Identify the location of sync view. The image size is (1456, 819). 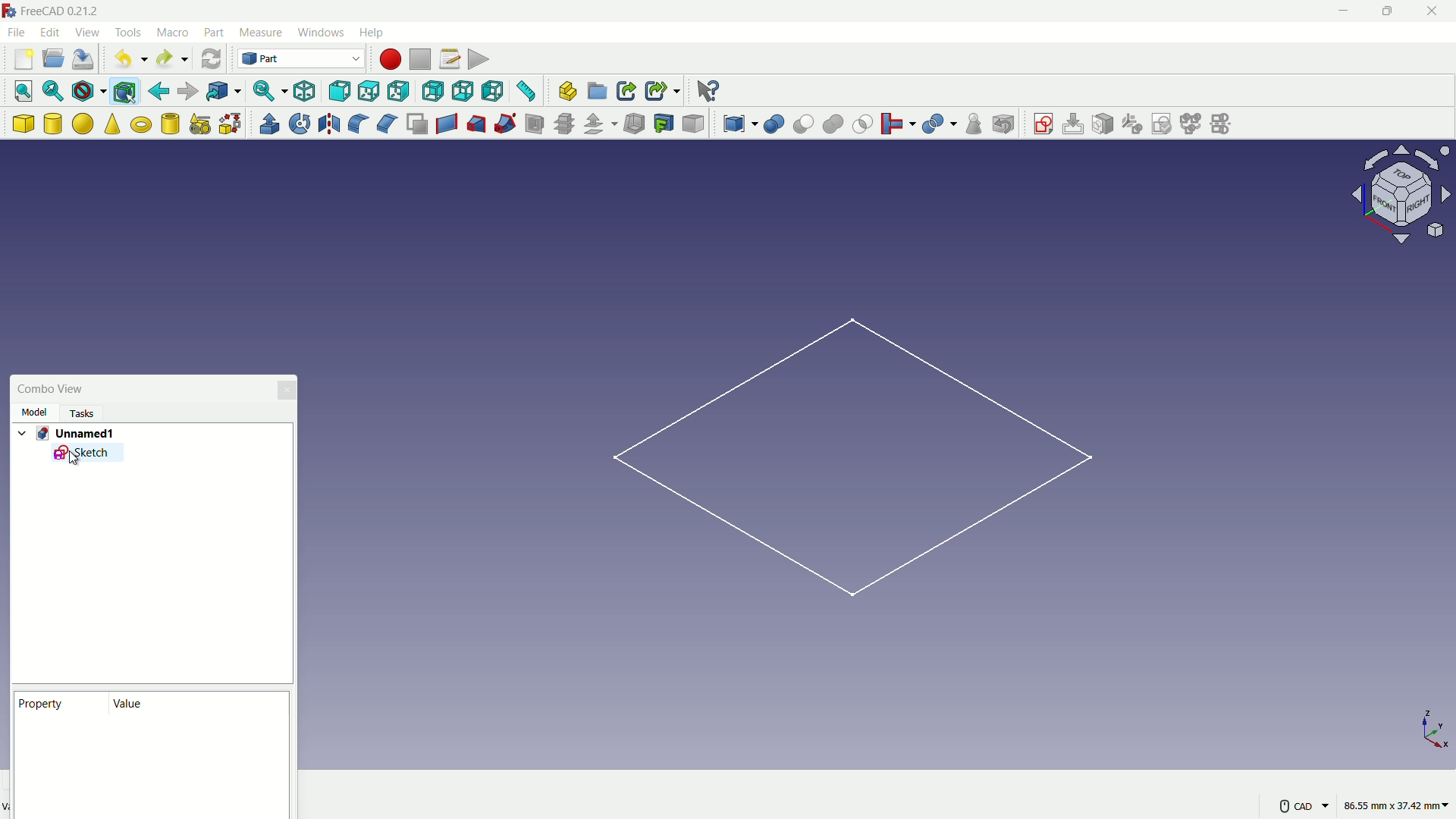
(268, 89).